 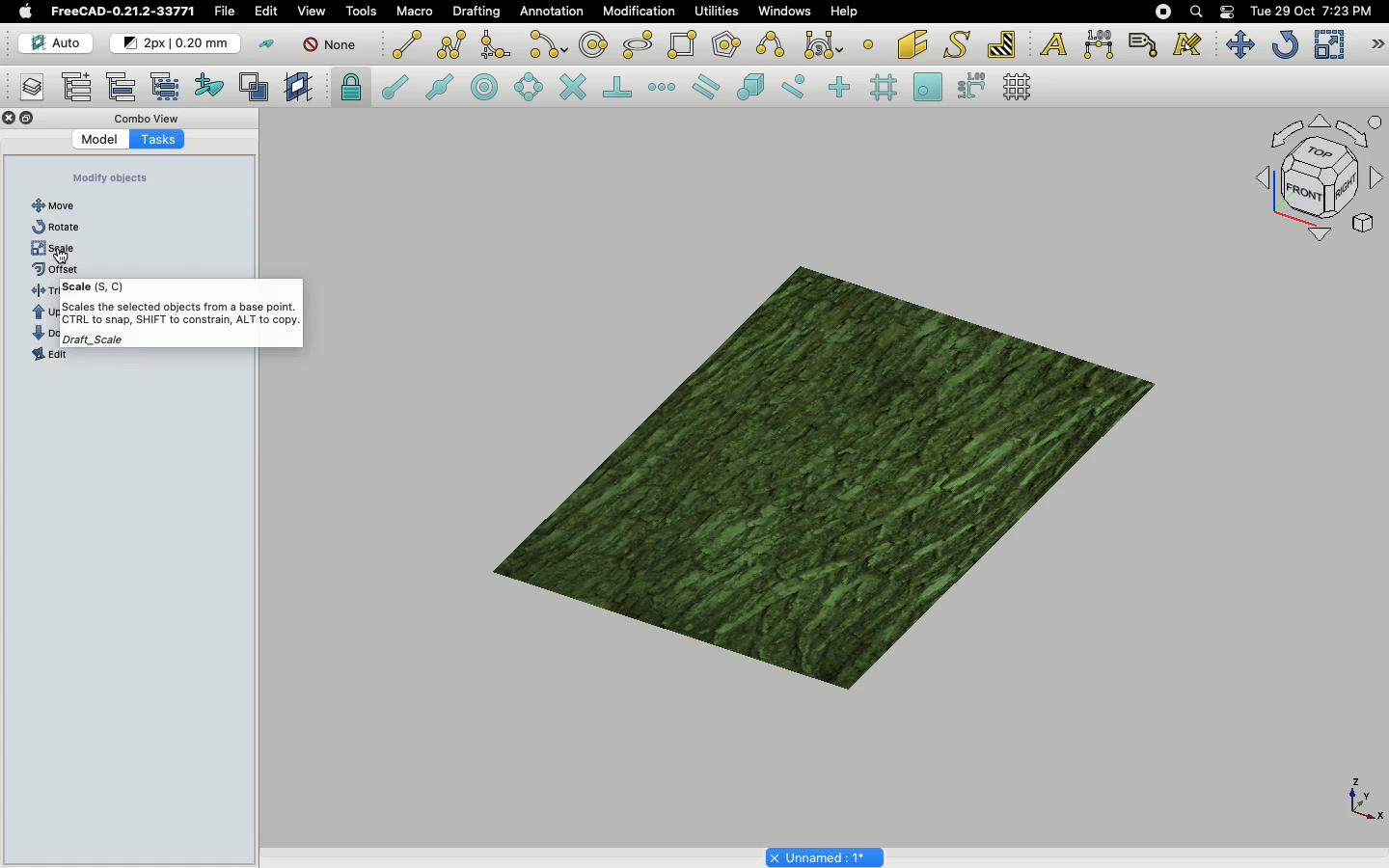 What do you see at coordinates (553, 12) in the screenshot?
I see `Annotation` at bounding box center [553, 12].